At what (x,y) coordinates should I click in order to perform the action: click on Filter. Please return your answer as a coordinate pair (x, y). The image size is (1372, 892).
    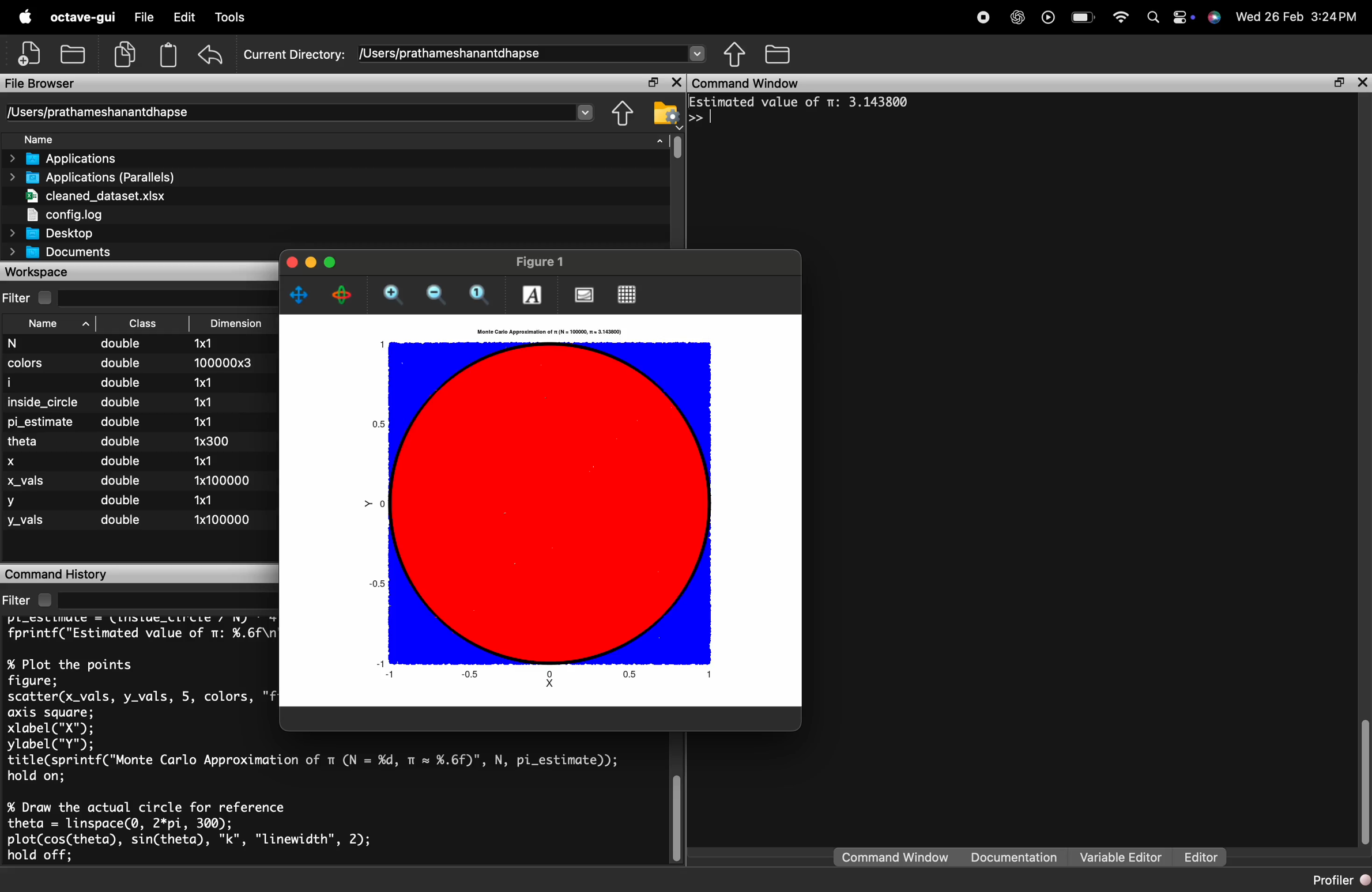
    Looking at the image, I should click on (27, 297).